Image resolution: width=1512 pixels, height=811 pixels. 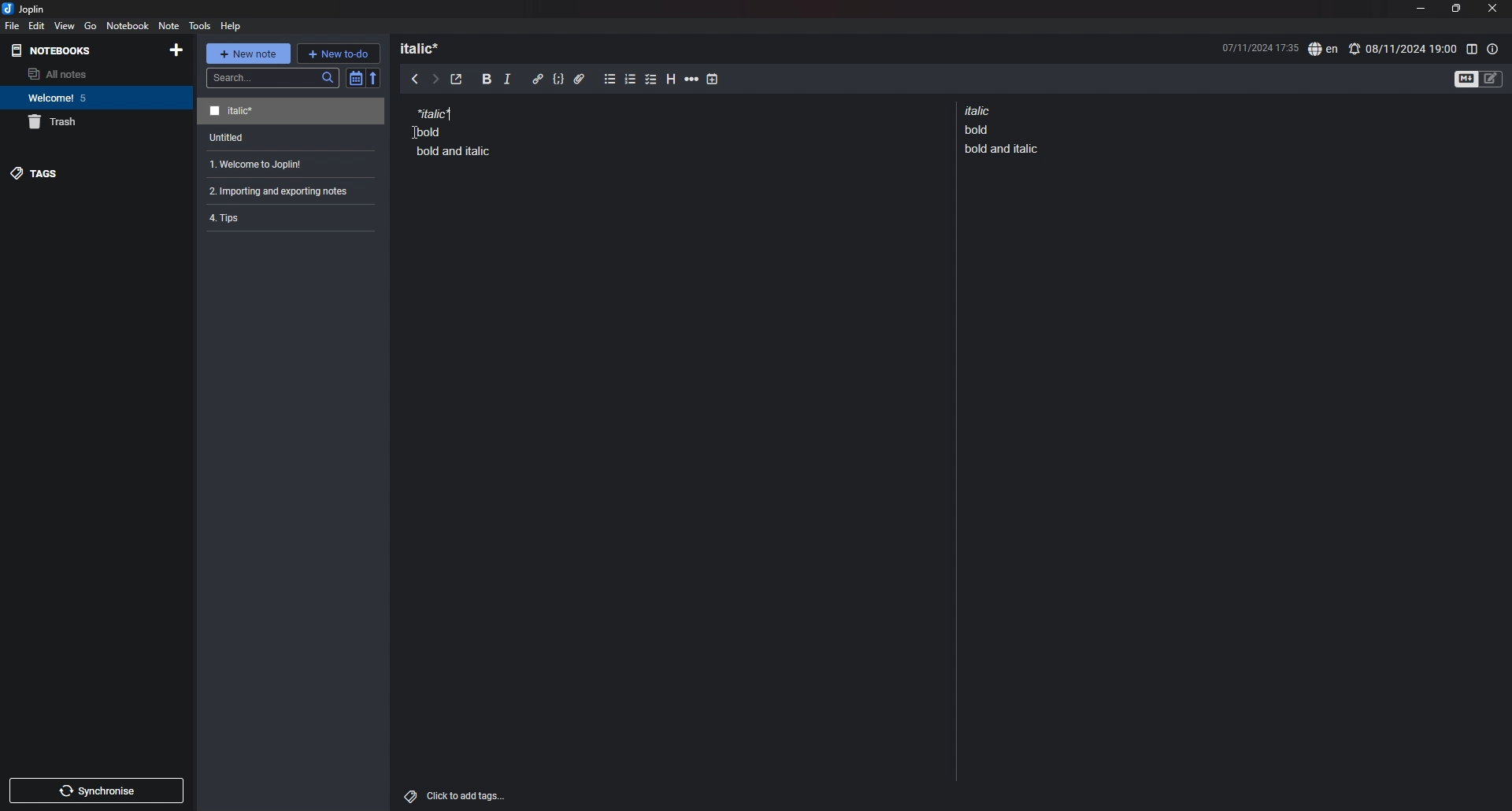 What do you see at coordinates (24, 9) in the screenshot?
I see `joplin` at bounding box center [24, 9].